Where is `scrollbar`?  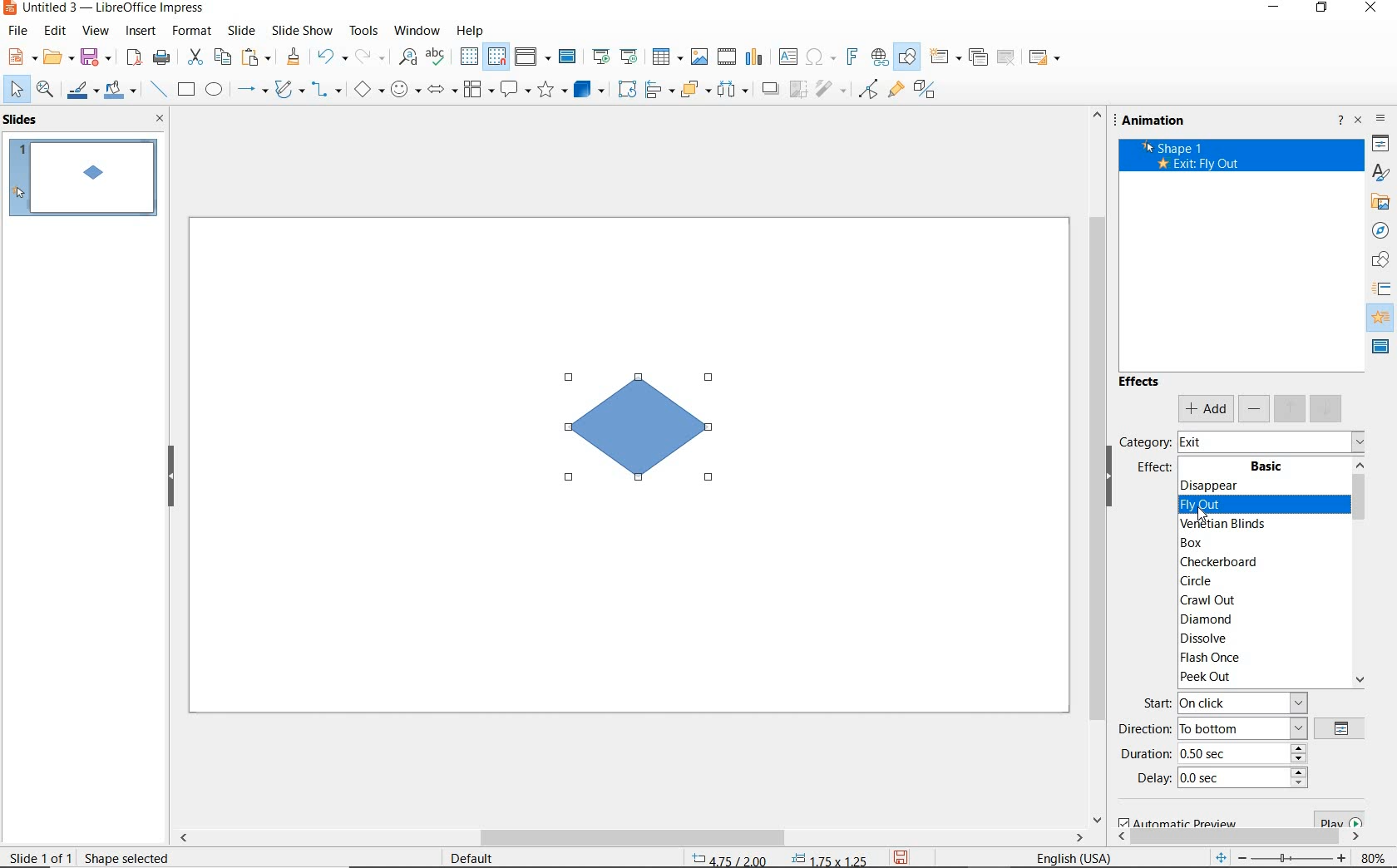
scrollbar is located at coordinates (1237, 838).